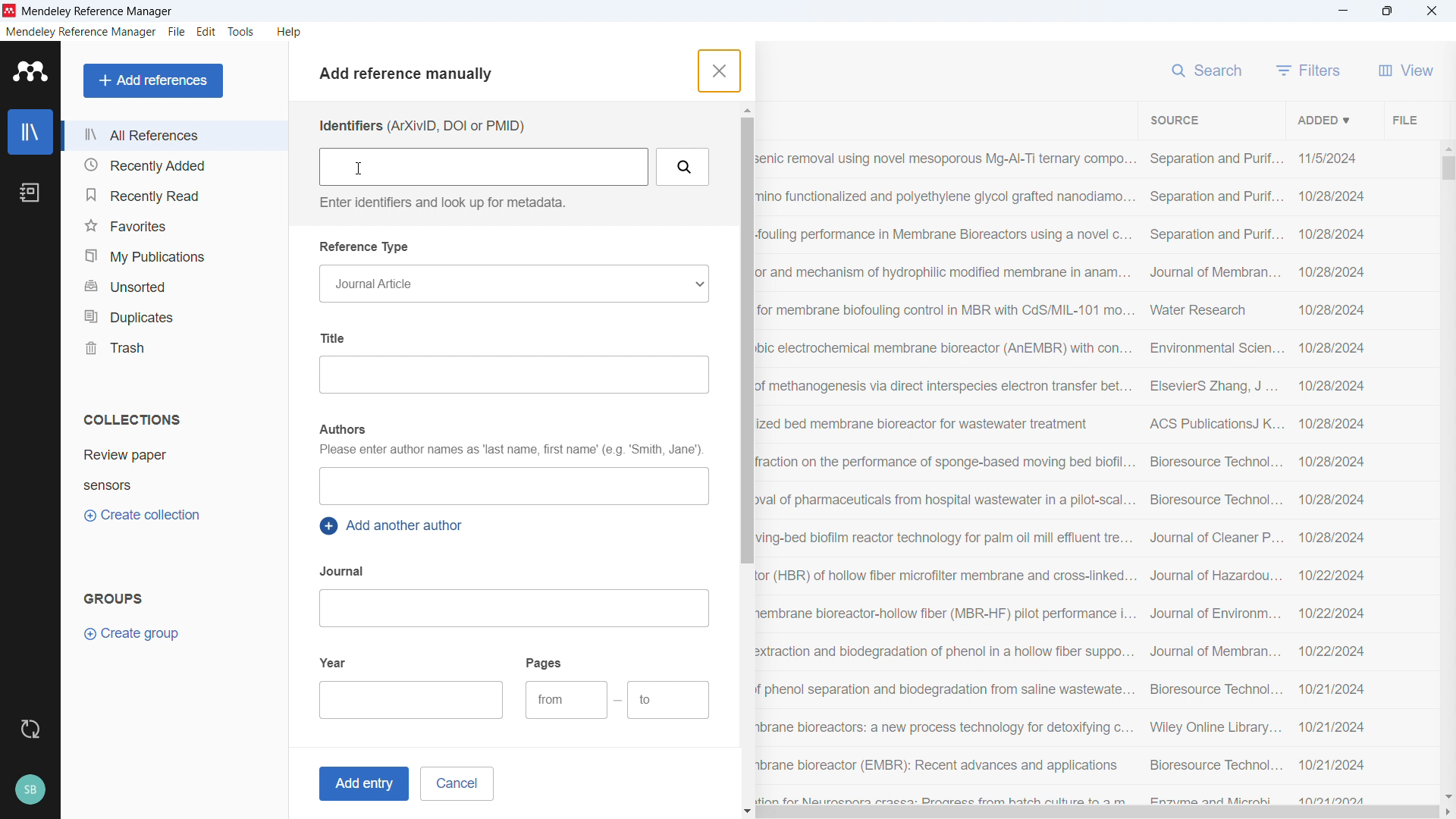 Image resolution: width=1456 pixels, height=819 pixels. What do you see at coordinates (1448, 168) in the screenshot?
I see `Vertical scrollbar ` at bounding box center [1448, 168].